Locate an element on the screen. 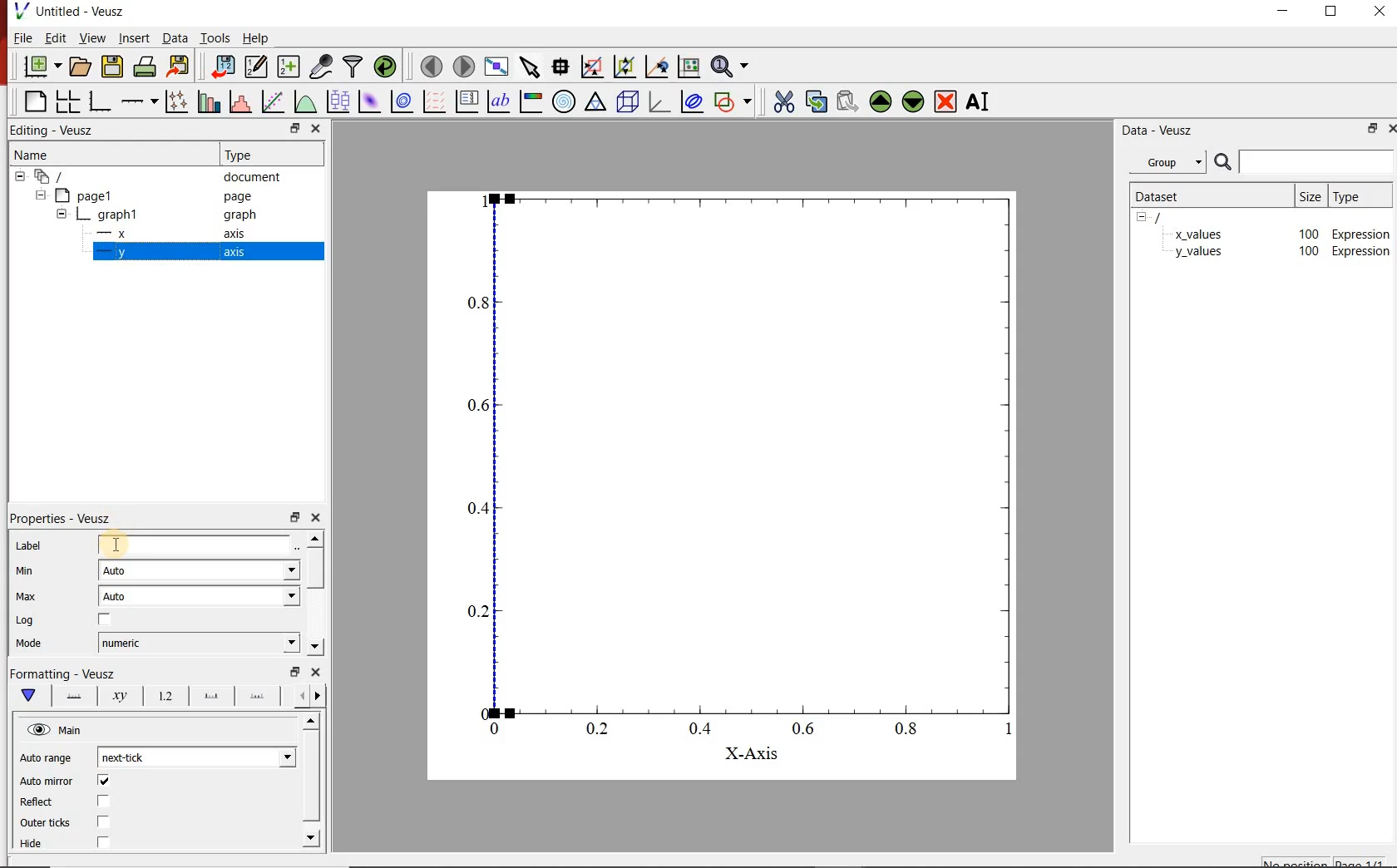  move up is located at coordinates (313, 538).